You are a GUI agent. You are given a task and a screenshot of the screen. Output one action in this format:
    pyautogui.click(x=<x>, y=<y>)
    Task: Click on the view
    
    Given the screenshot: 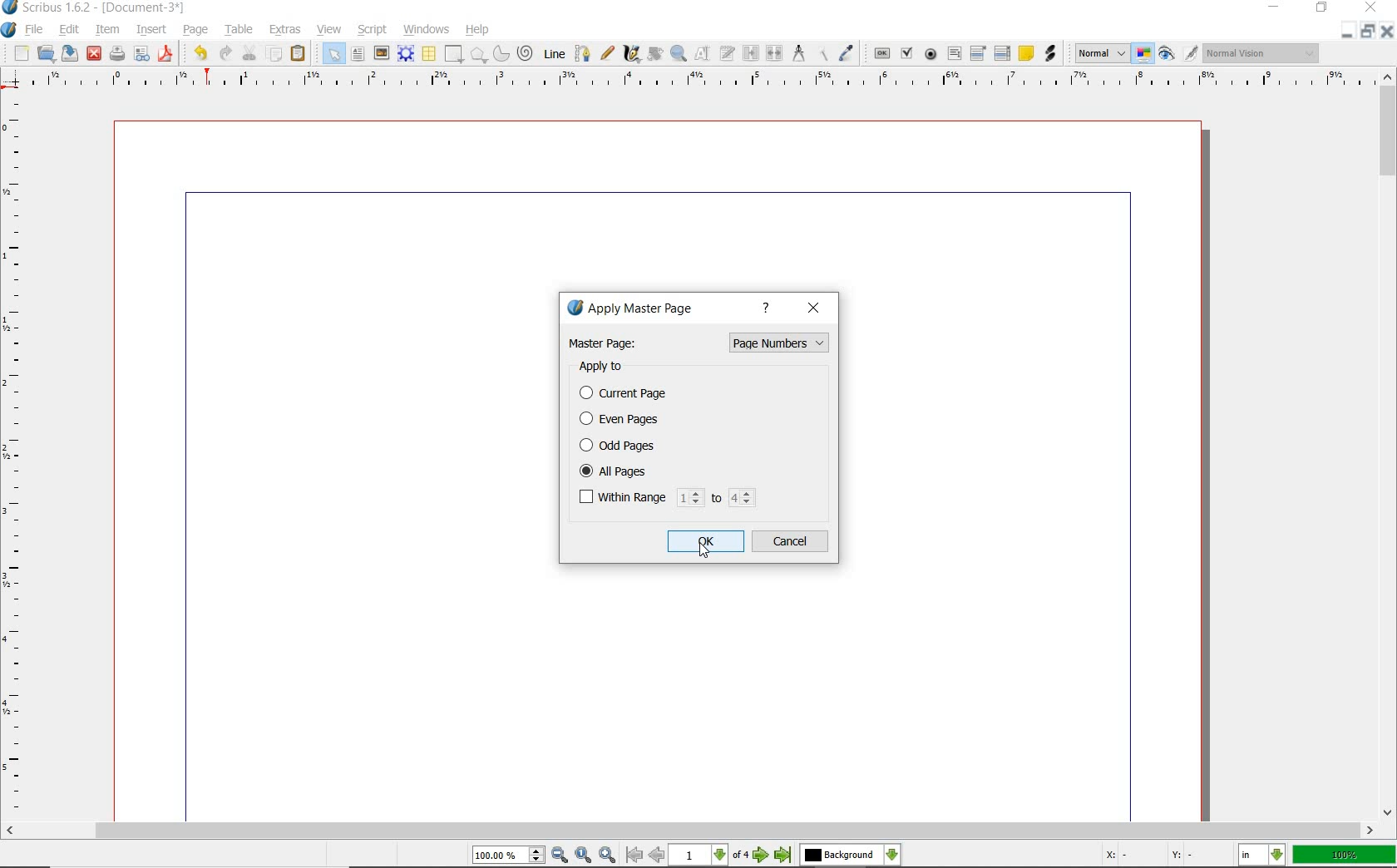 What is the action you would take?
    pyautogui.click(x=329, y=29)
    